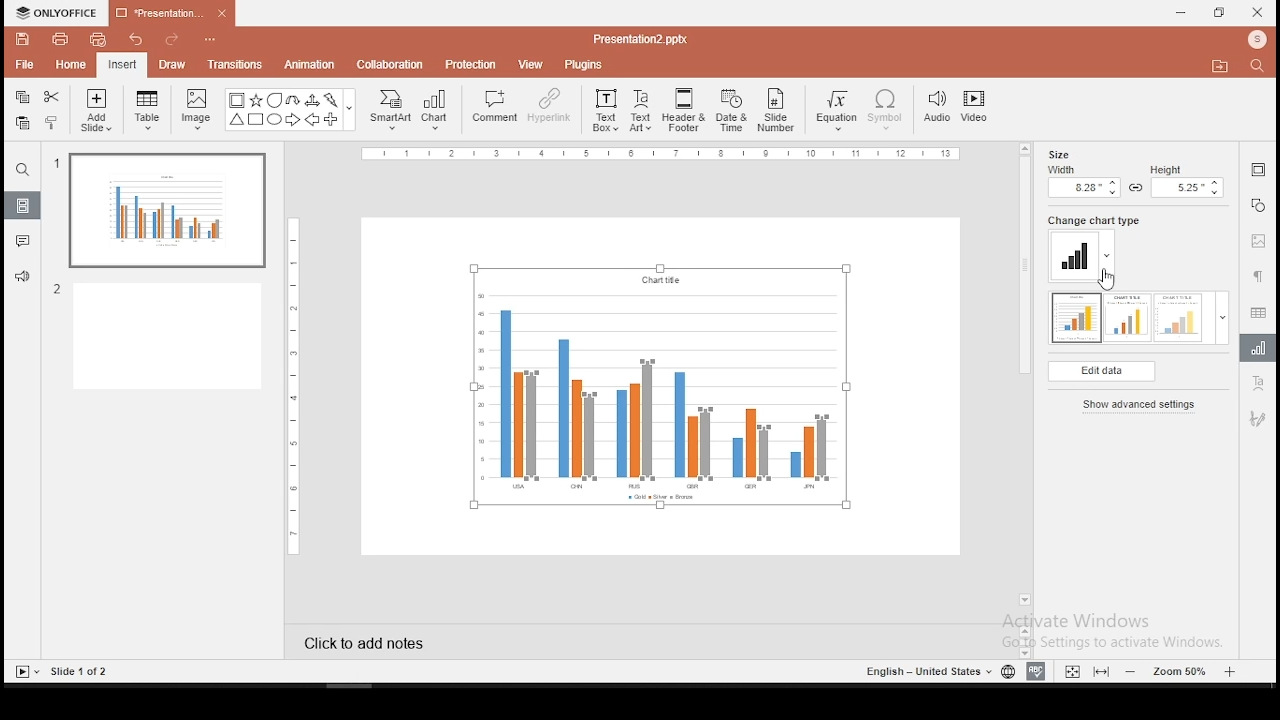 The height and width of the screenshot is (720, 1280). I want to click on more, so click(1223, 317).